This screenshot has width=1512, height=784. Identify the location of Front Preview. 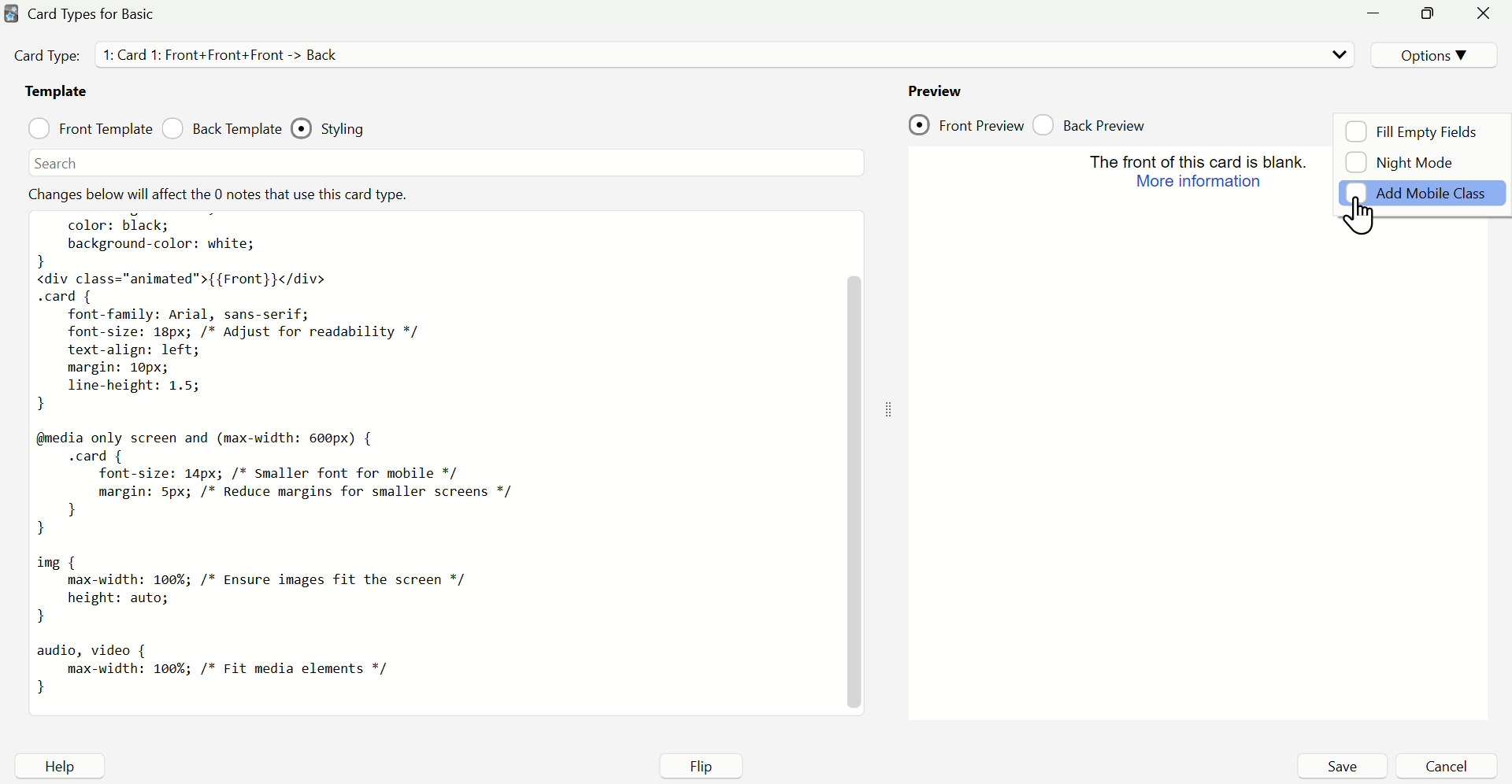
(966, 124).